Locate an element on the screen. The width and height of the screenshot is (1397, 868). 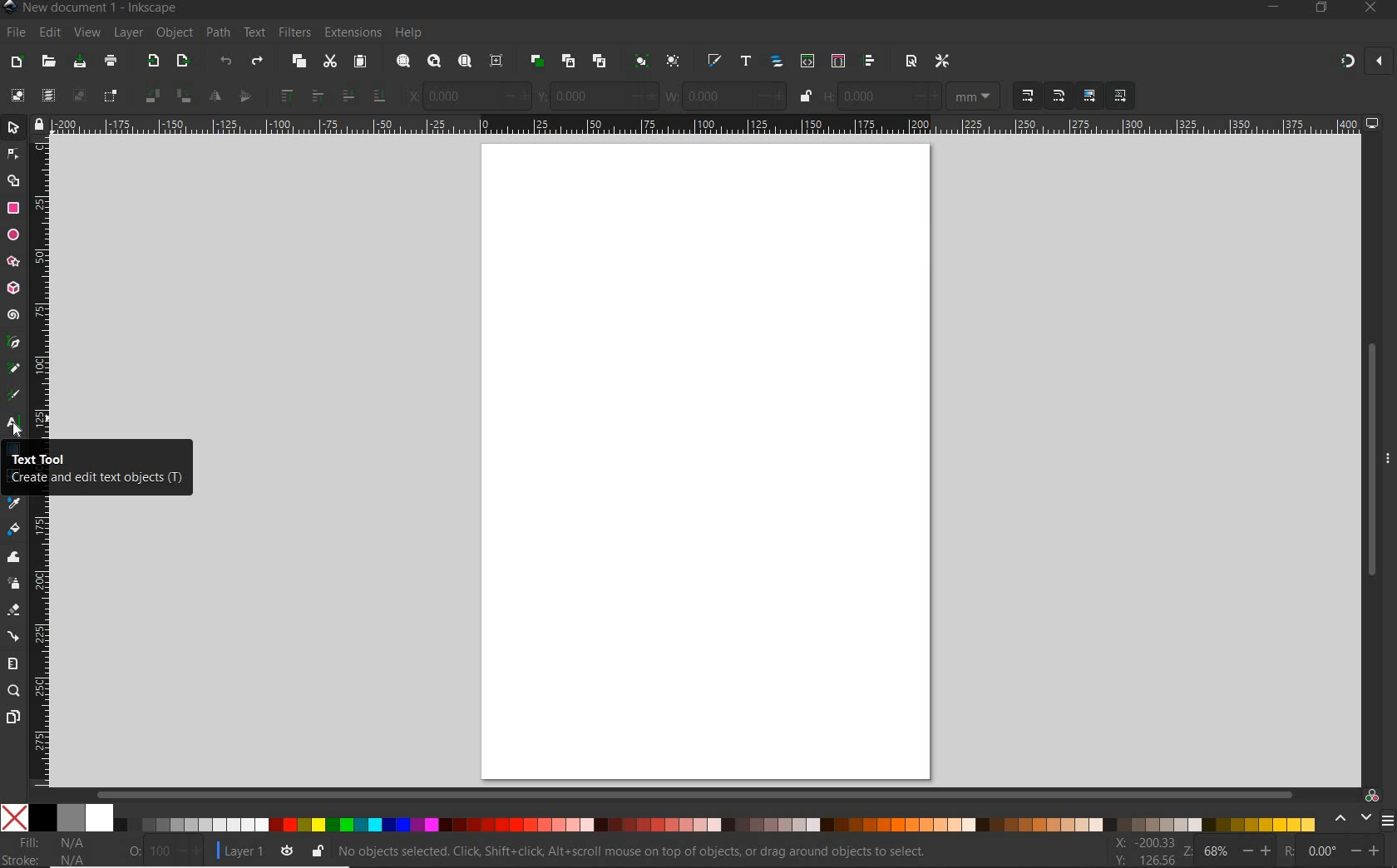
unlink clone is located at coordinates (598, 62).